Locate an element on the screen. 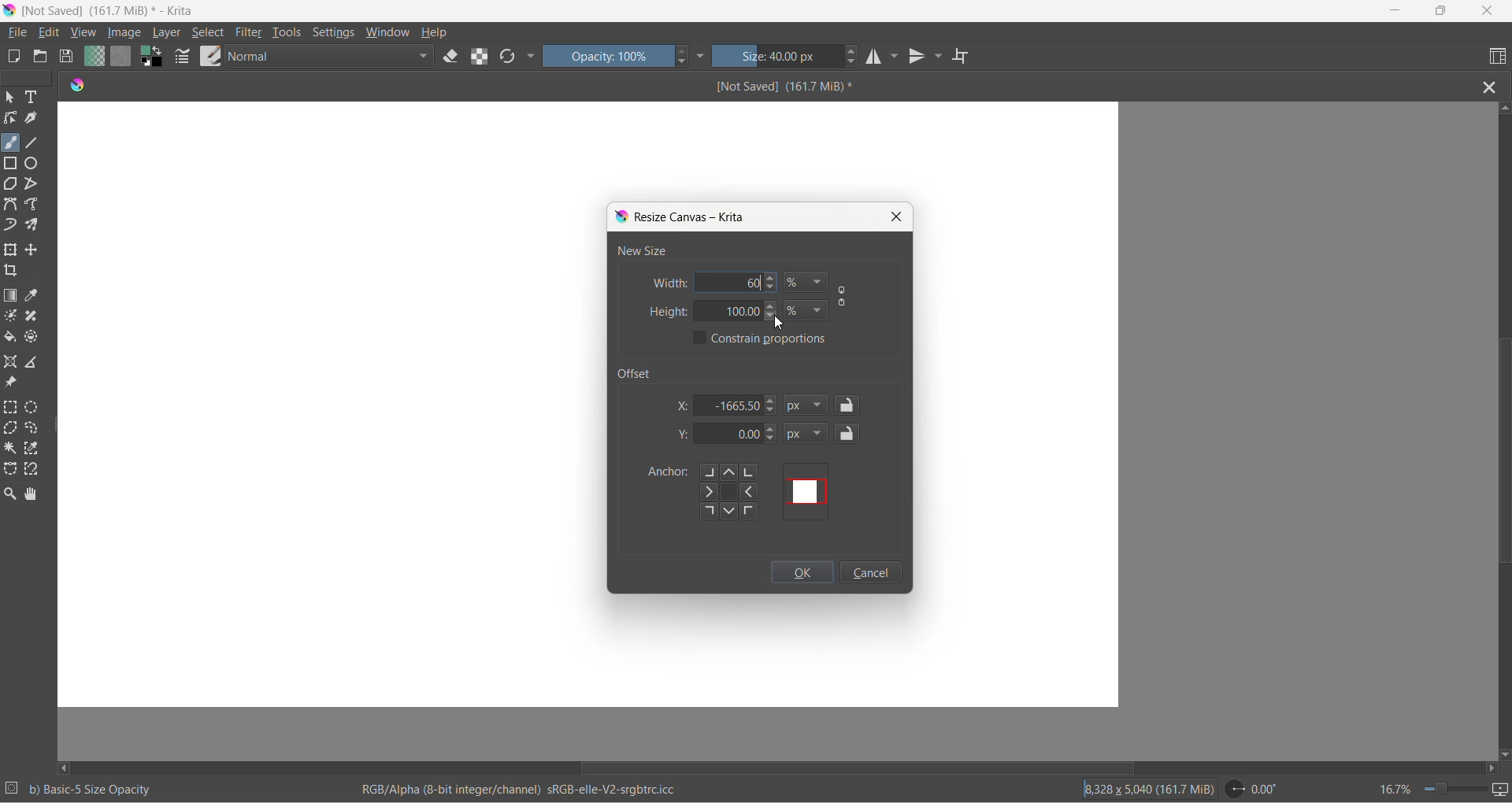 The height and width of the screenshot is (803, 1512). increment width is located at coordinates (773, 279).